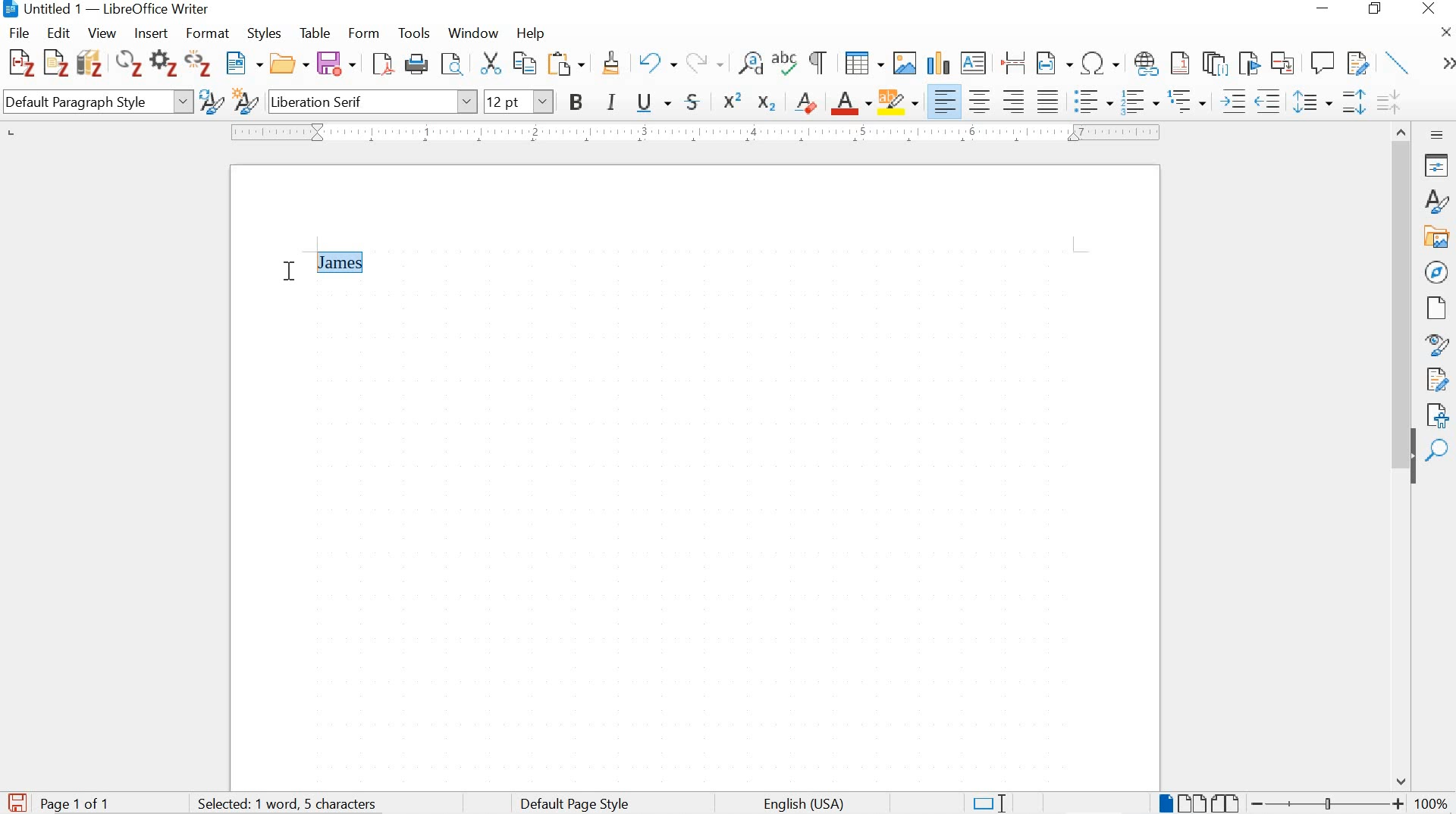 Image resolution: width=1456 pixels, height=814 pixels. What do you see at coordinates (342, 262) in the screenshot?
I see `"James" highlighted` at bounding box center [342, 262].